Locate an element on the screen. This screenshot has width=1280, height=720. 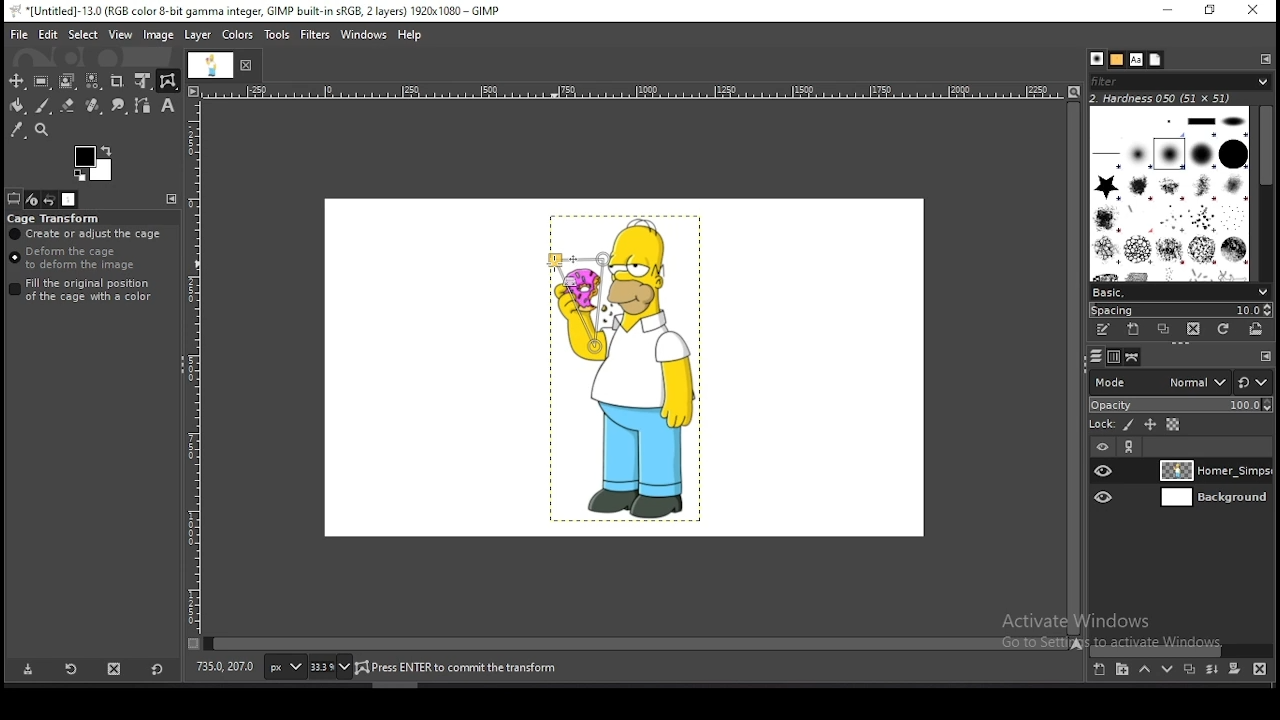
channels is located at coordinates (1112, 356).